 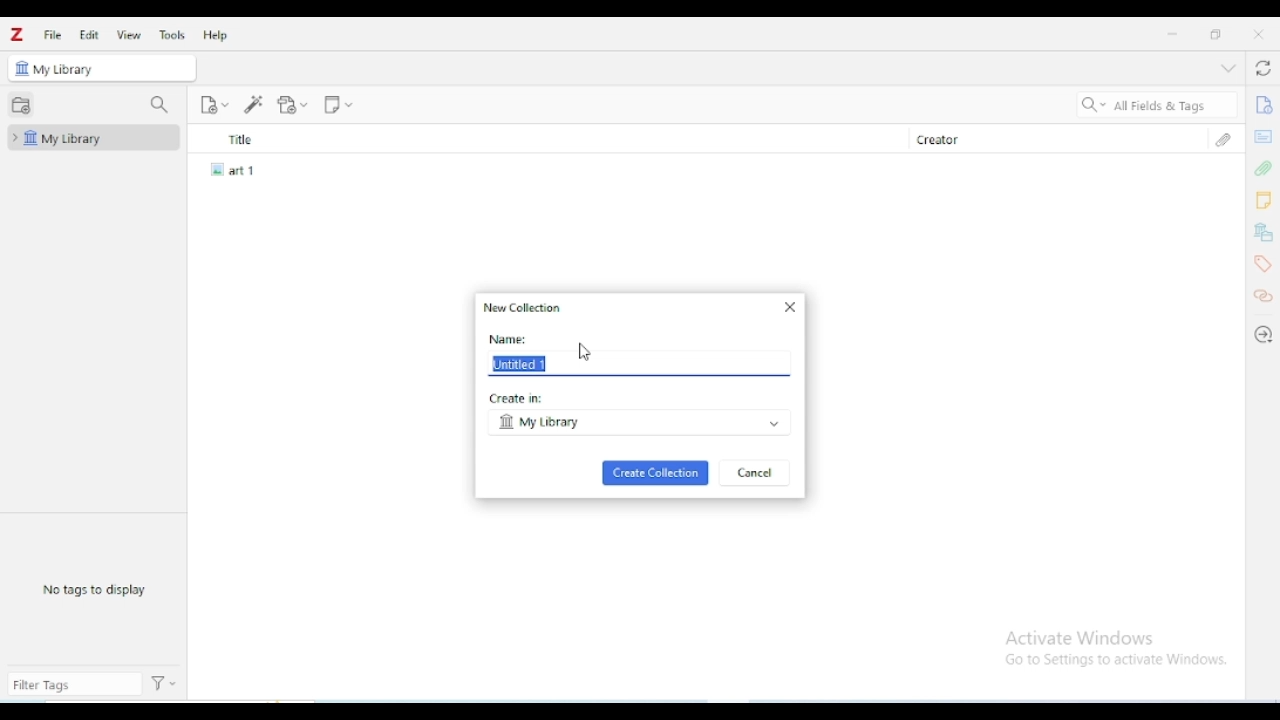 What do you see at coordinates (1223, 139) in the screenshot?
I see `attachments` at bounding box center [1223, 139].